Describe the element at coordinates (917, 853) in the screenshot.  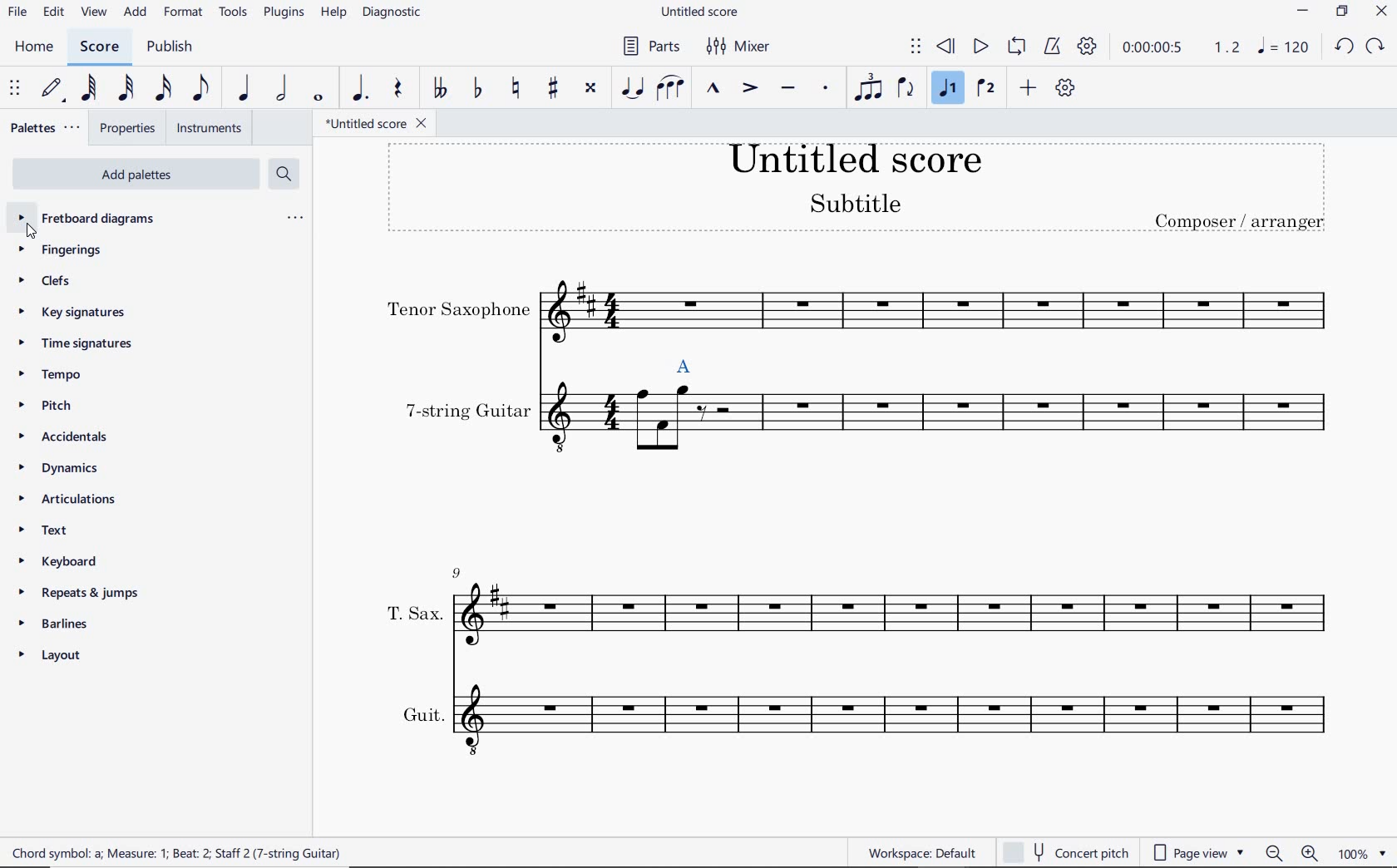
I see `WORKSPACE: DEFAULT` at that location.